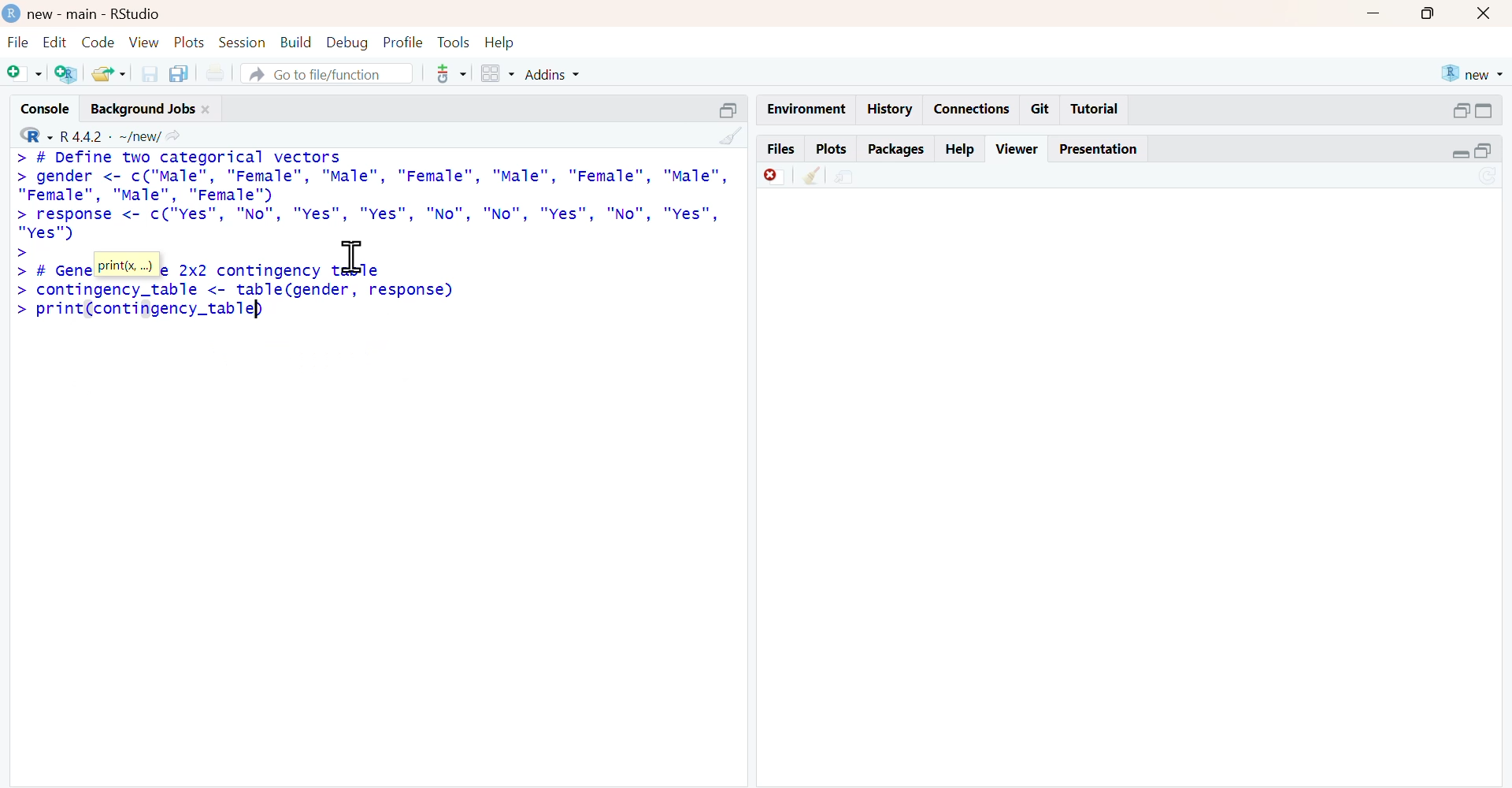  What do you see at coordinates (24, 72) in the screenshot?
I see `Add file as` at bounding box center [24, 72].